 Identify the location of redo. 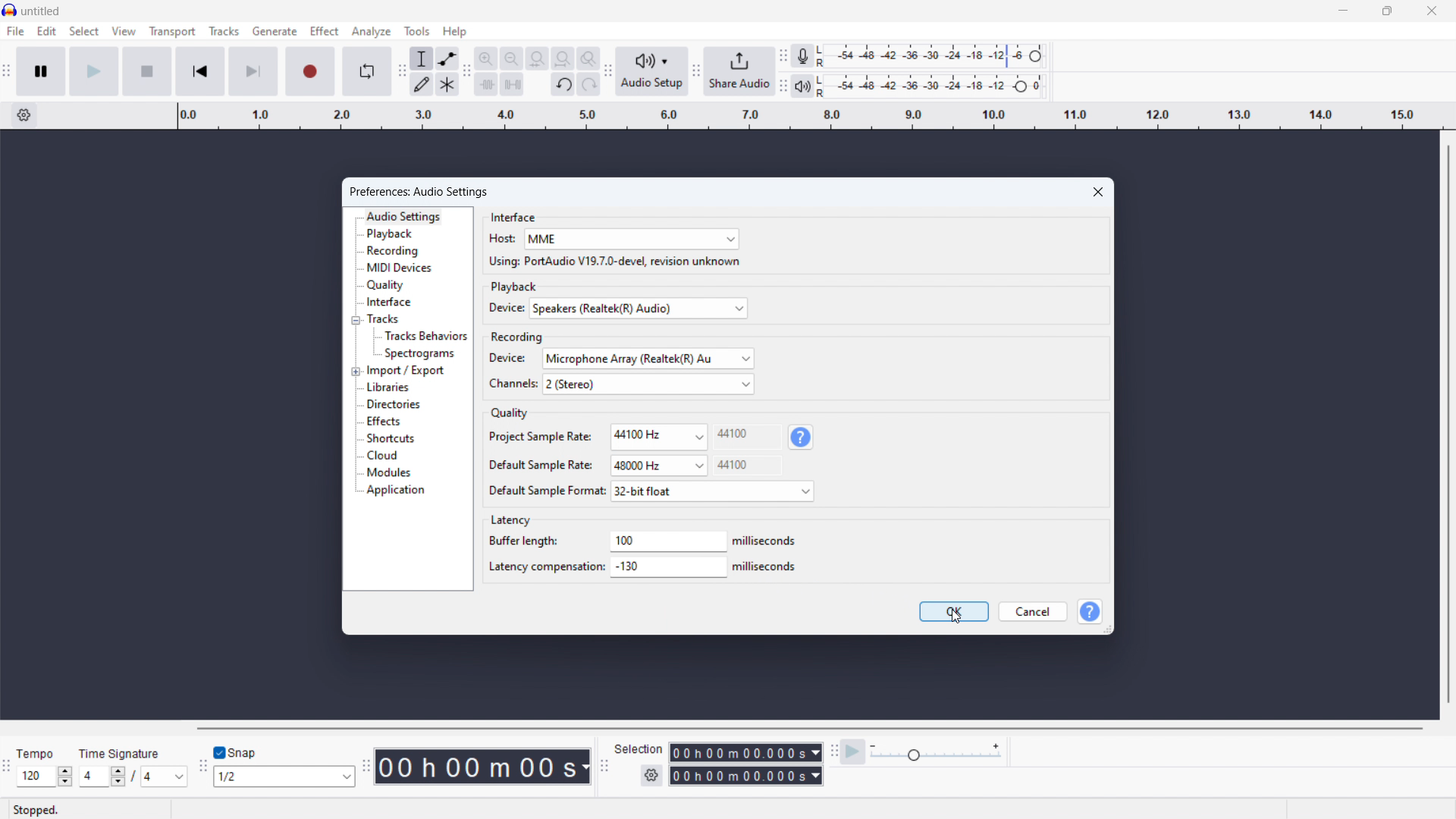
(588, 84).